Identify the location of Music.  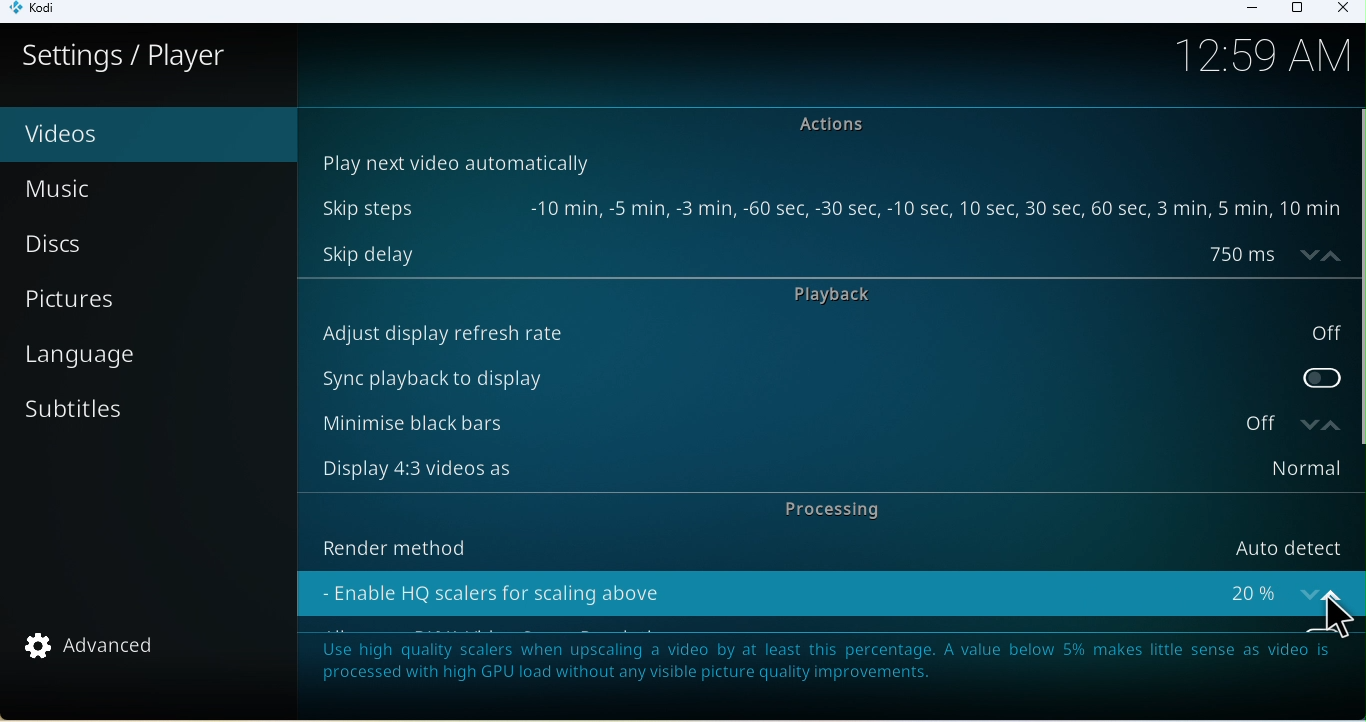
(106, 187).